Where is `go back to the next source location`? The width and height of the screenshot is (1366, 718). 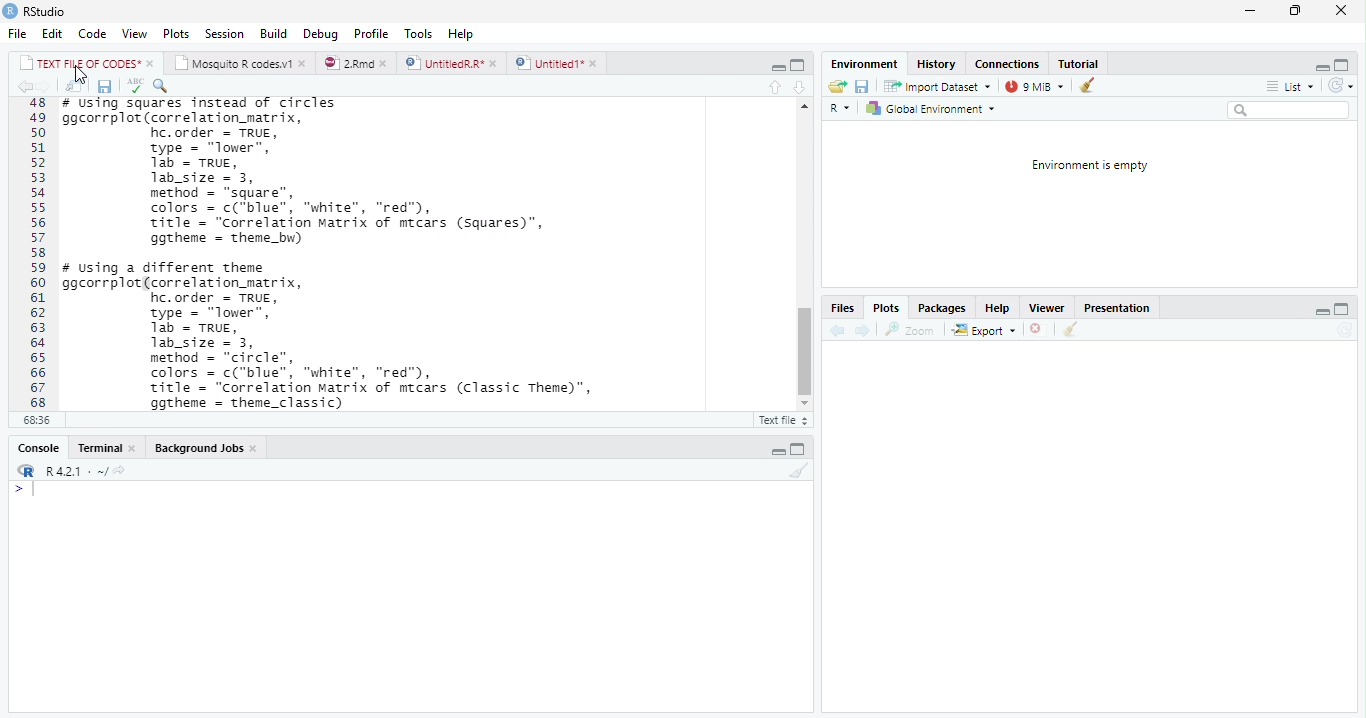 go back to the next source location is located at coordinates (50, 87).